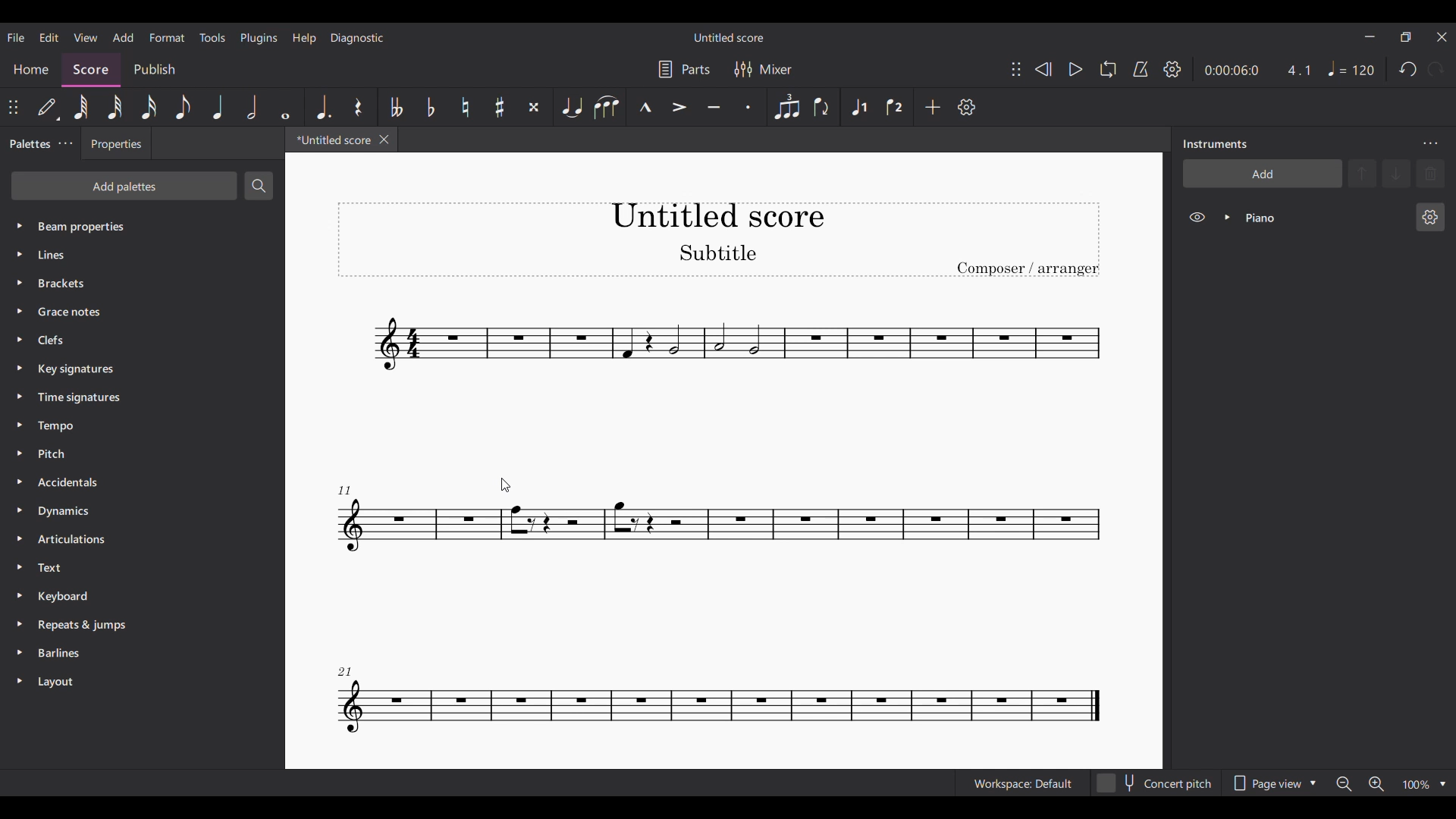 The width and height of the screenshot is (1456, 819). What do you see at coordinates (85, 37) in the screenshot?
I see `View menu` at bounding box center [85, 37].